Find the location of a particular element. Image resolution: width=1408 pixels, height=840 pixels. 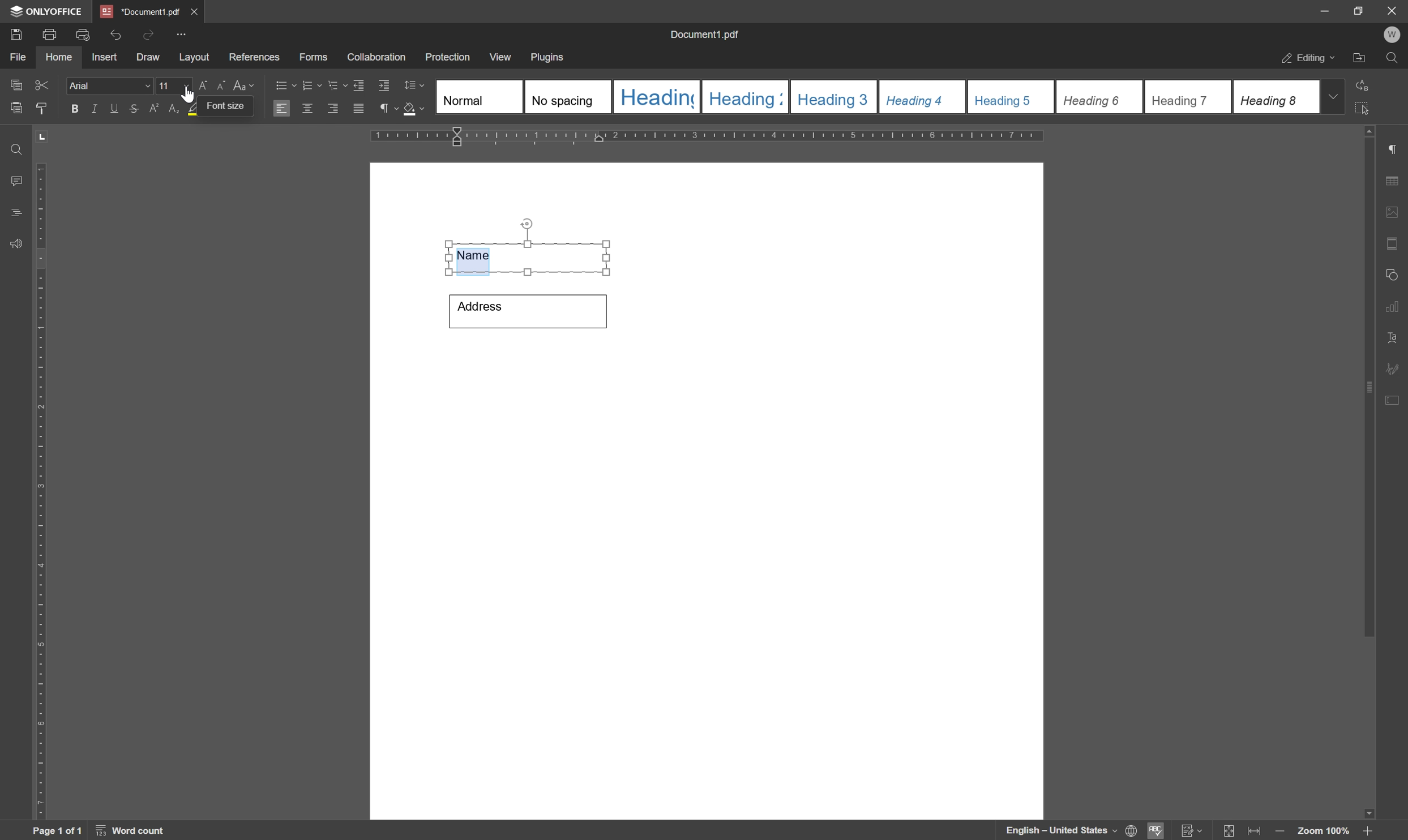

font size is located at coordinates (225, 106).